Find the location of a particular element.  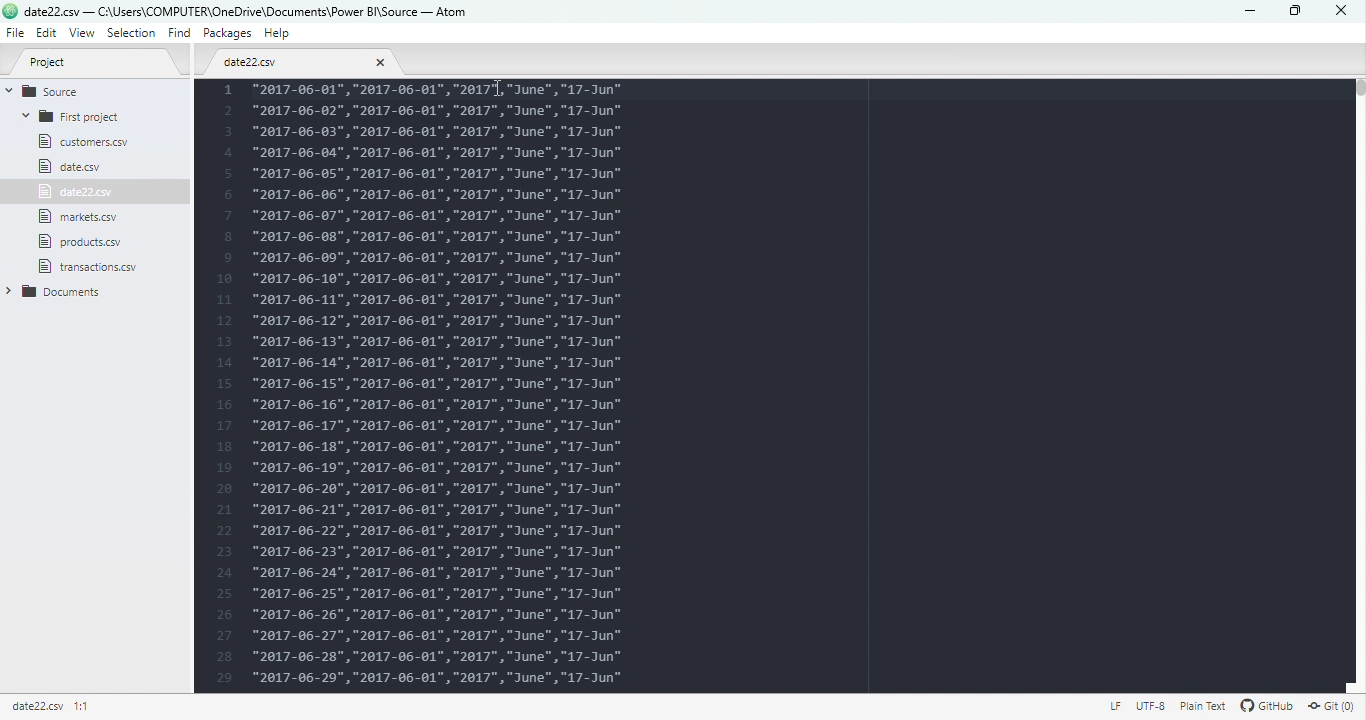

duplicate File is located at coordinates (79, 192).